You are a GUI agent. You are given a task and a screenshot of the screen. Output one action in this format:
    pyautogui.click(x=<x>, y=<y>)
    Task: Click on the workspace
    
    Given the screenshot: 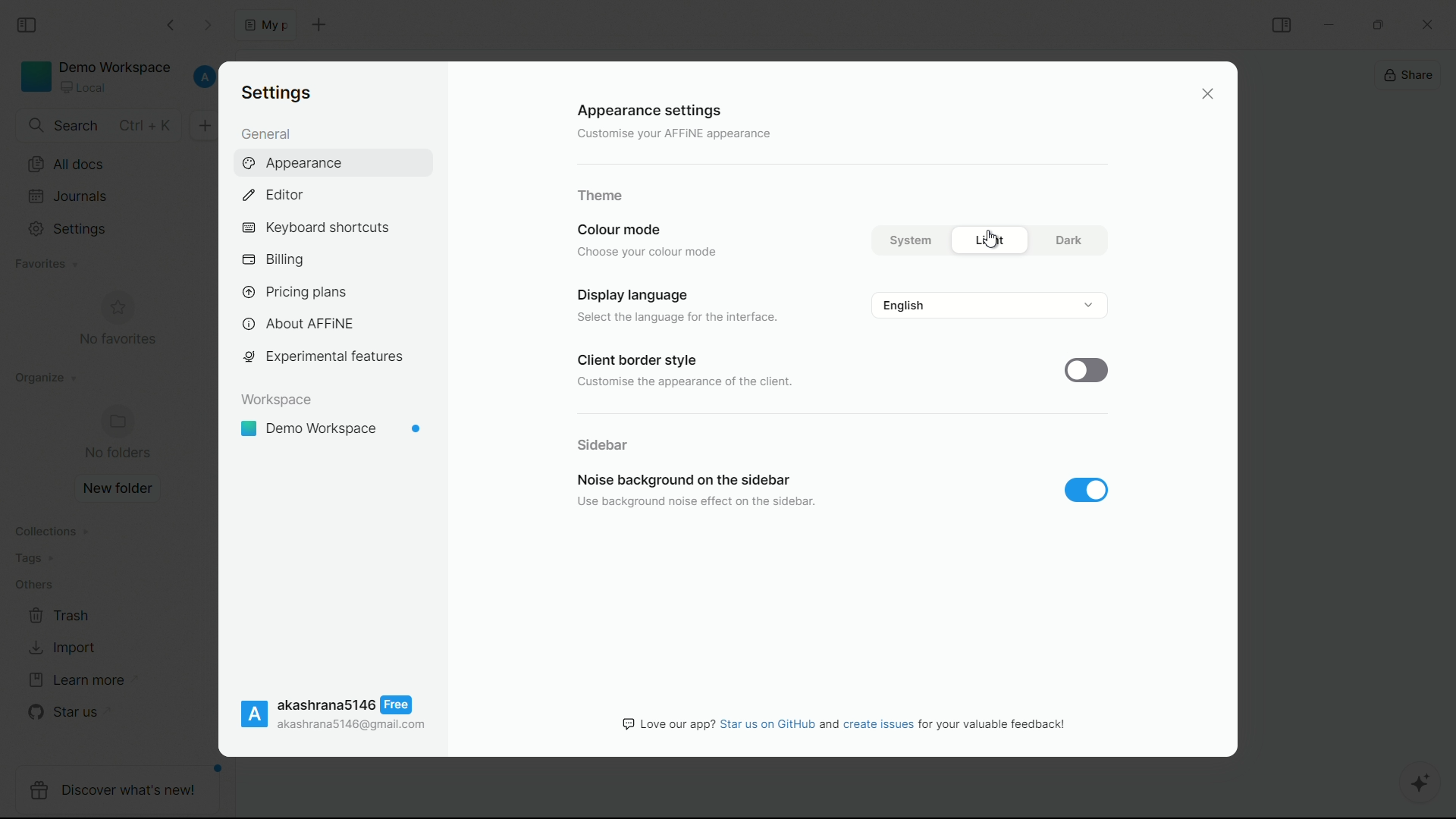 What is the action you would take?
    pyautogui.click(x=277, y=400)
    